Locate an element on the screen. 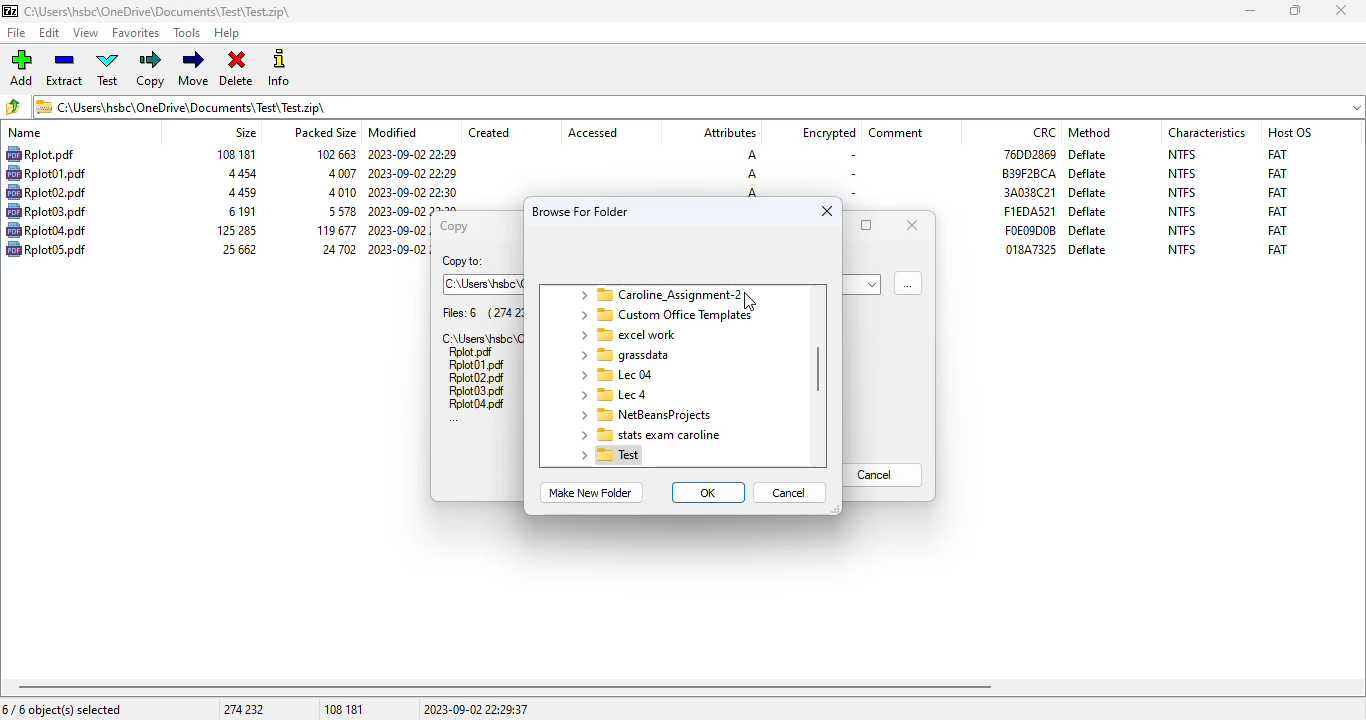  CRC is located at coordinates (1028, 153).